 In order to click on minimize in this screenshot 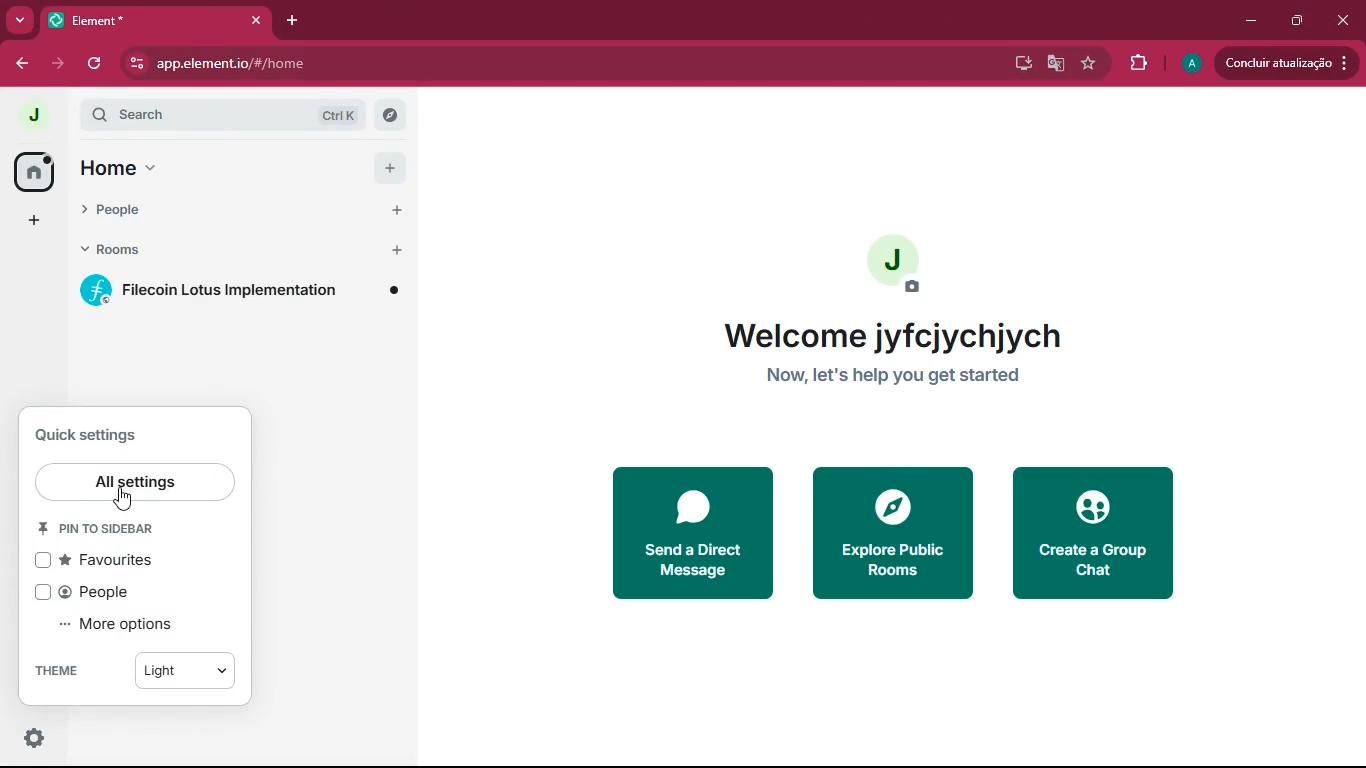, I will do `click(1251, 21)`.